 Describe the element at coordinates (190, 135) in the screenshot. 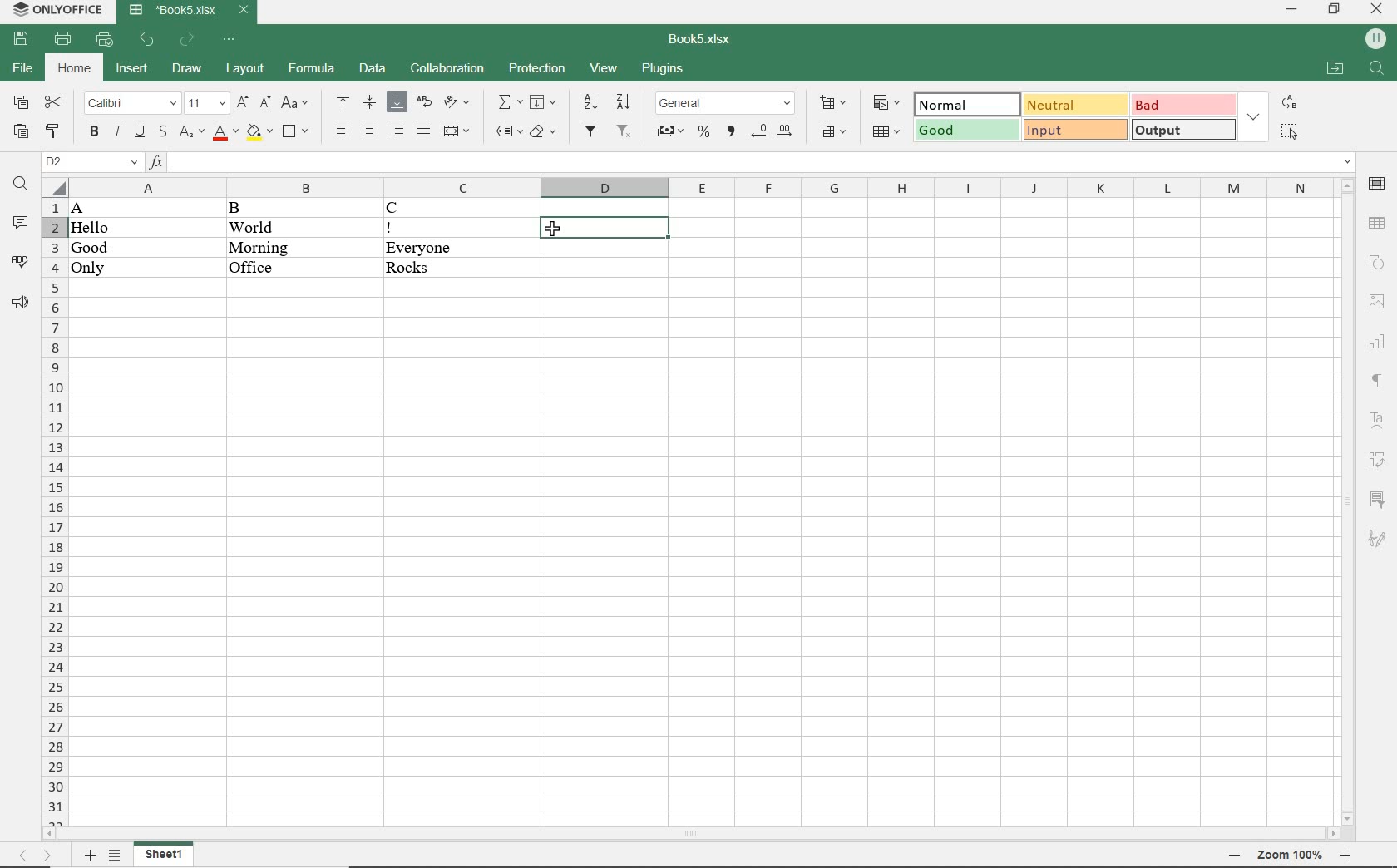

I see `subscript/superscript` at that location.